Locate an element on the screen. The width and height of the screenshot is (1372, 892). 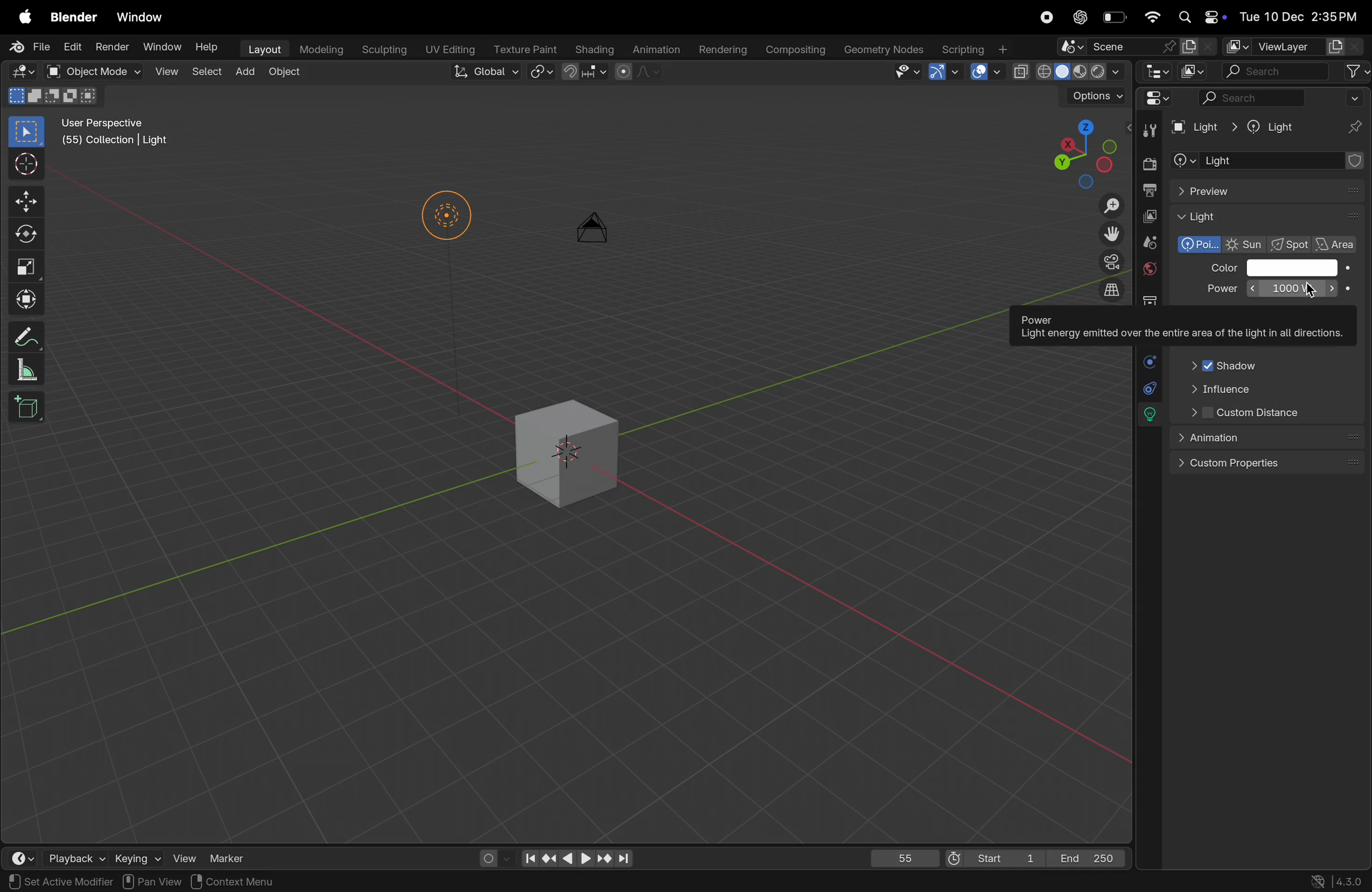
 is located at coordinates (1685, 293).